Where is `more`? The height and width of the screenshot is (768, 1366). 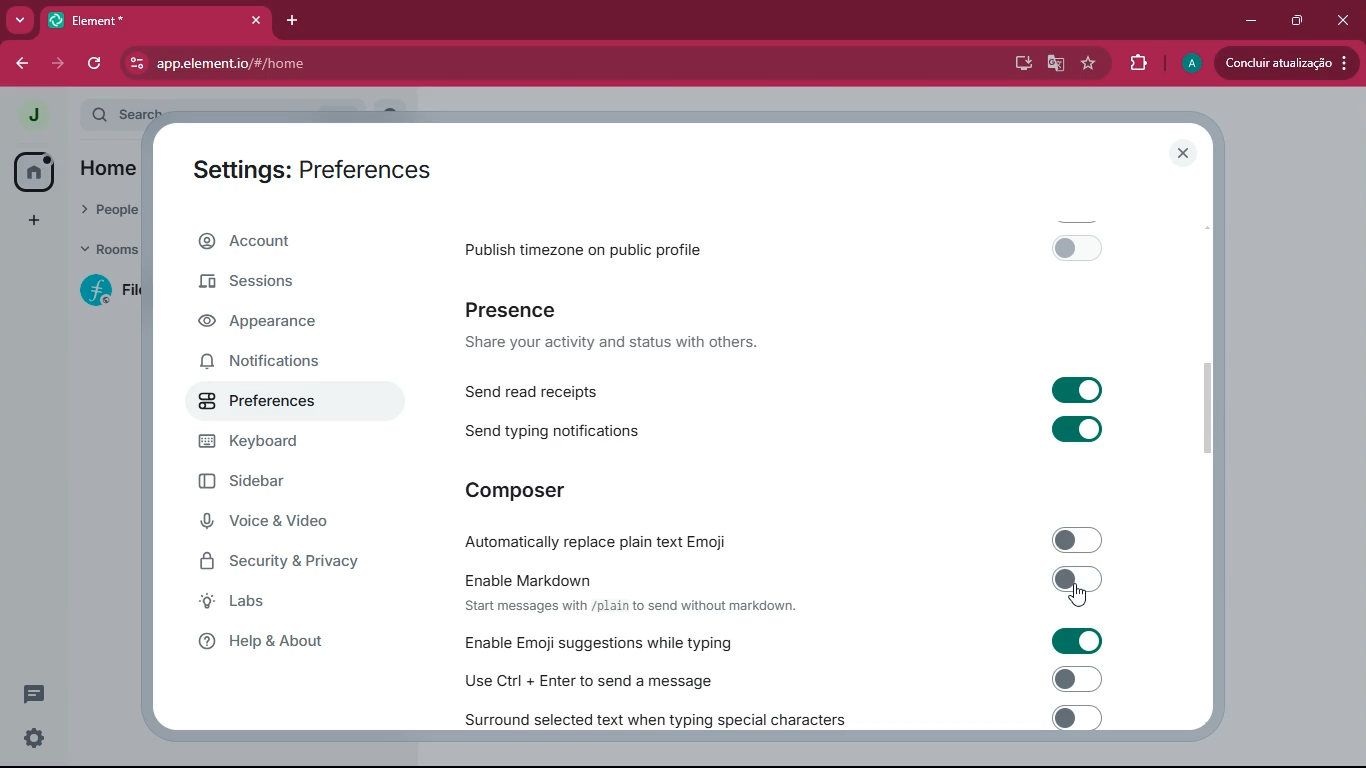 more is located at coordinates (20, 20).